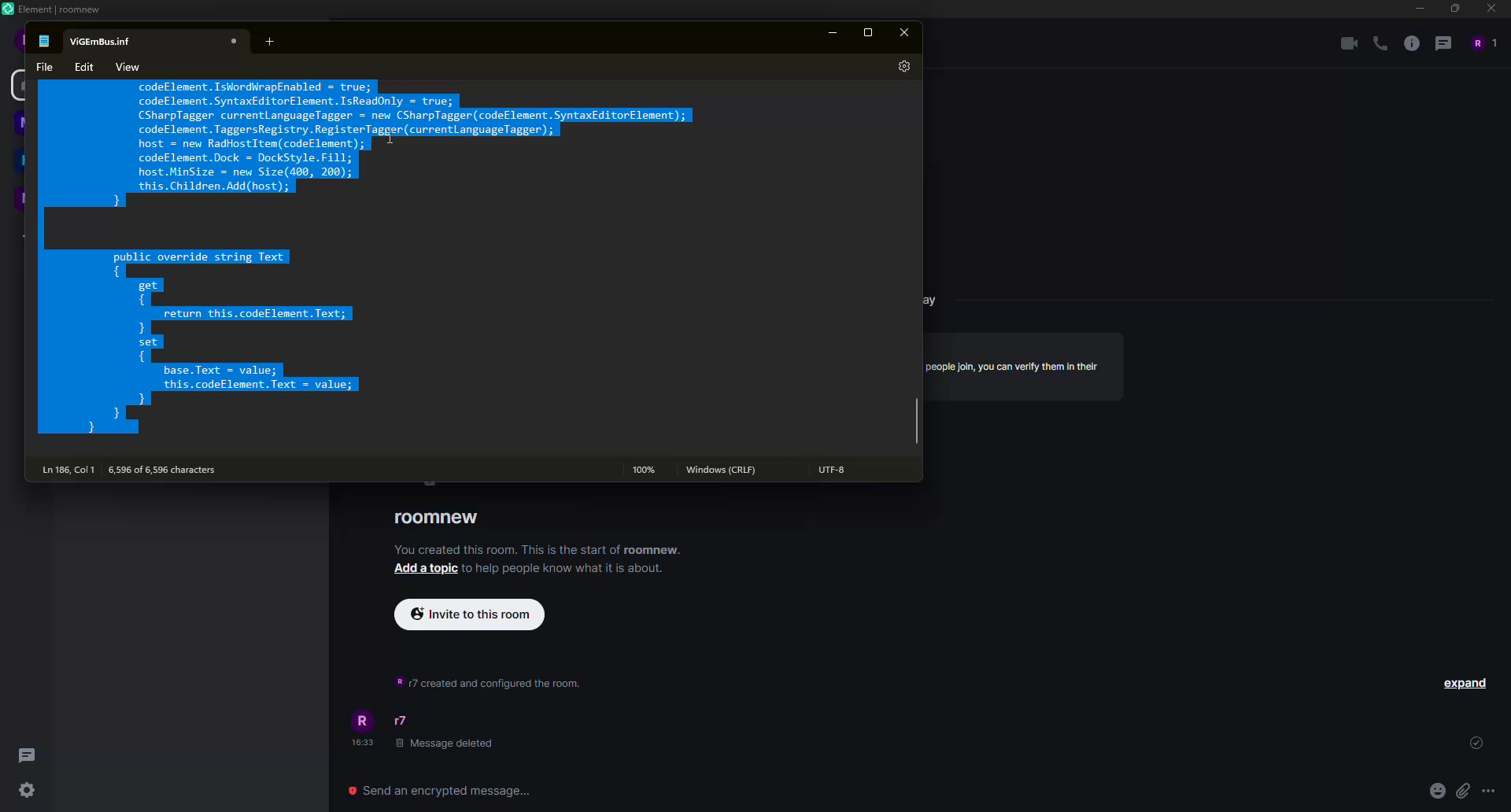  Describe the element at coordinates (442, 787) in the screenshot. I see `send encrypted message` at that location.